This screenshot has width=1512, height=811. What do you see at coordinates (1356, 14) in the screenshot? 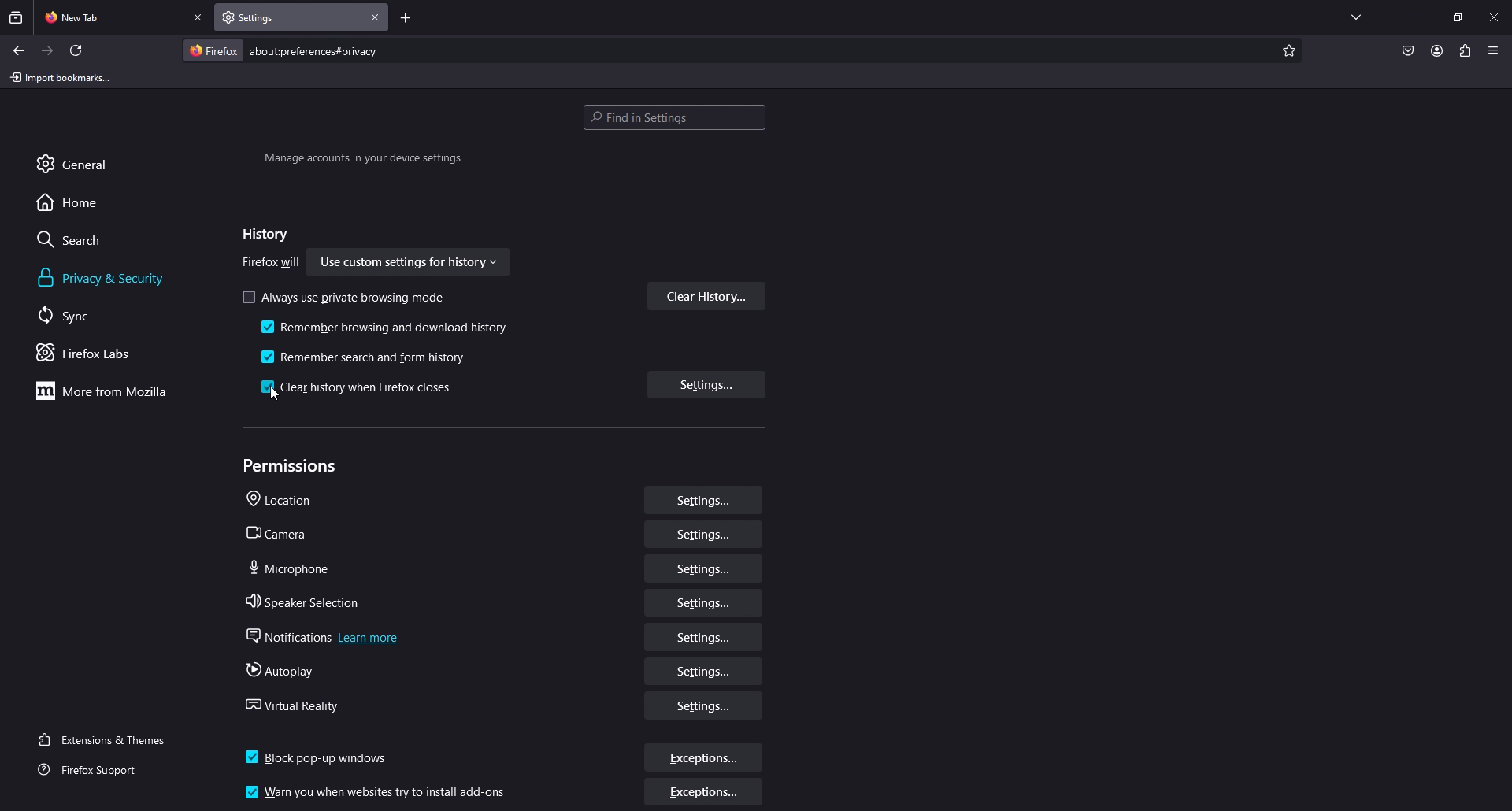
I see `list all tabs` at bounding box center [1356, 14].